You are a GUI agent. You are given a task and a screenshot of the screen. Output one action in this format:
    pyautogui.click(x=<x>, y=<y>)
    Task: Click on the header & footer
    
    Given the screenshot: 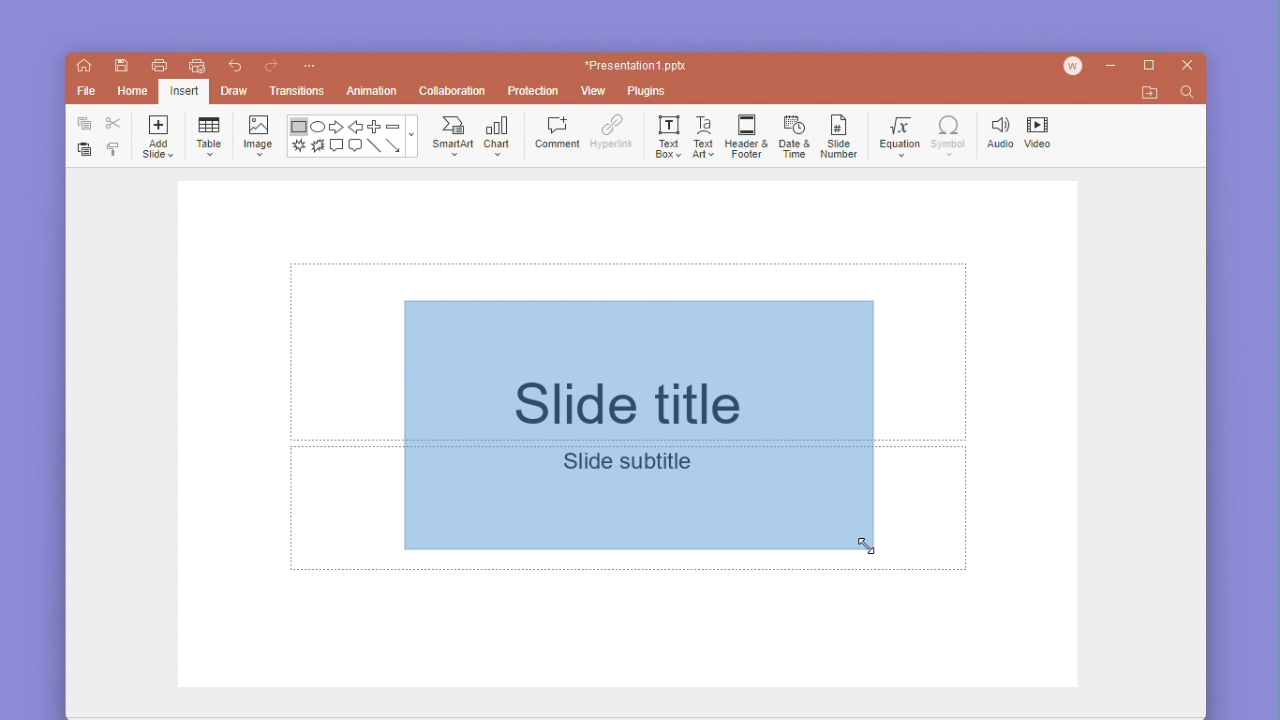 What is the action you would take?
    pyautogui.click(x=745, y=135)
    